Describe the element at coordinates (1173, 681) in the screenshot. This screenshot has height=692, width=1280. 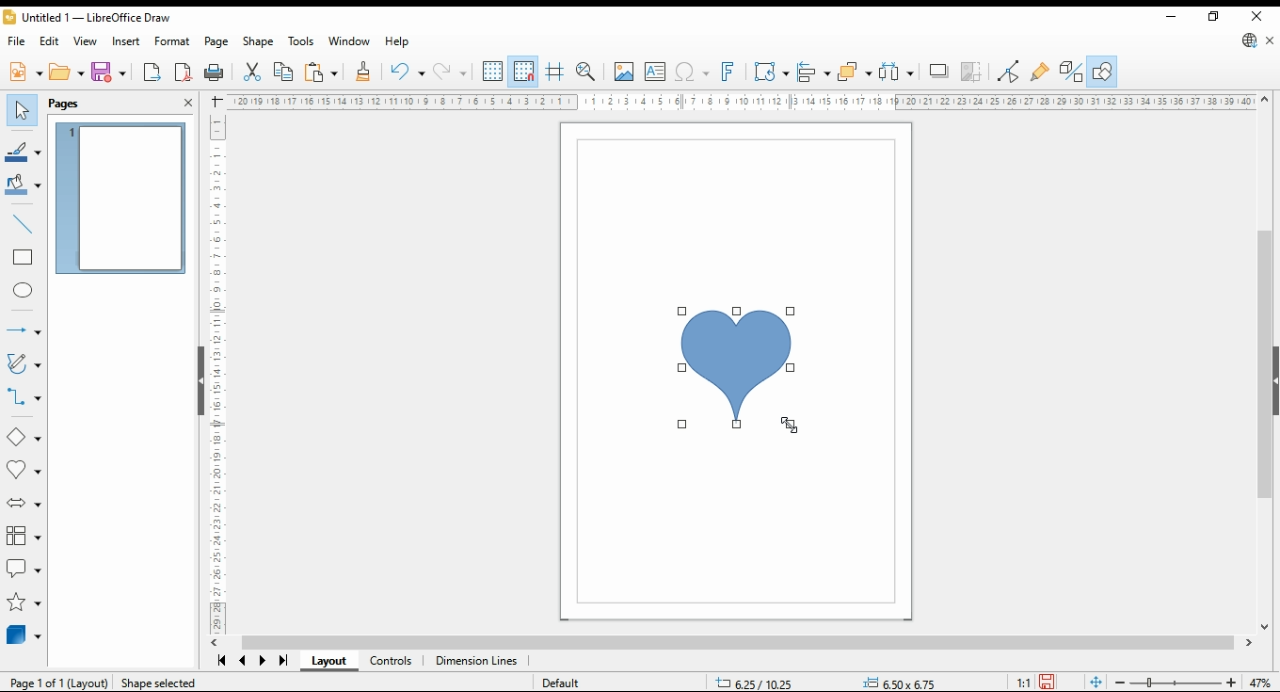
I see `zoom slider` at that location.